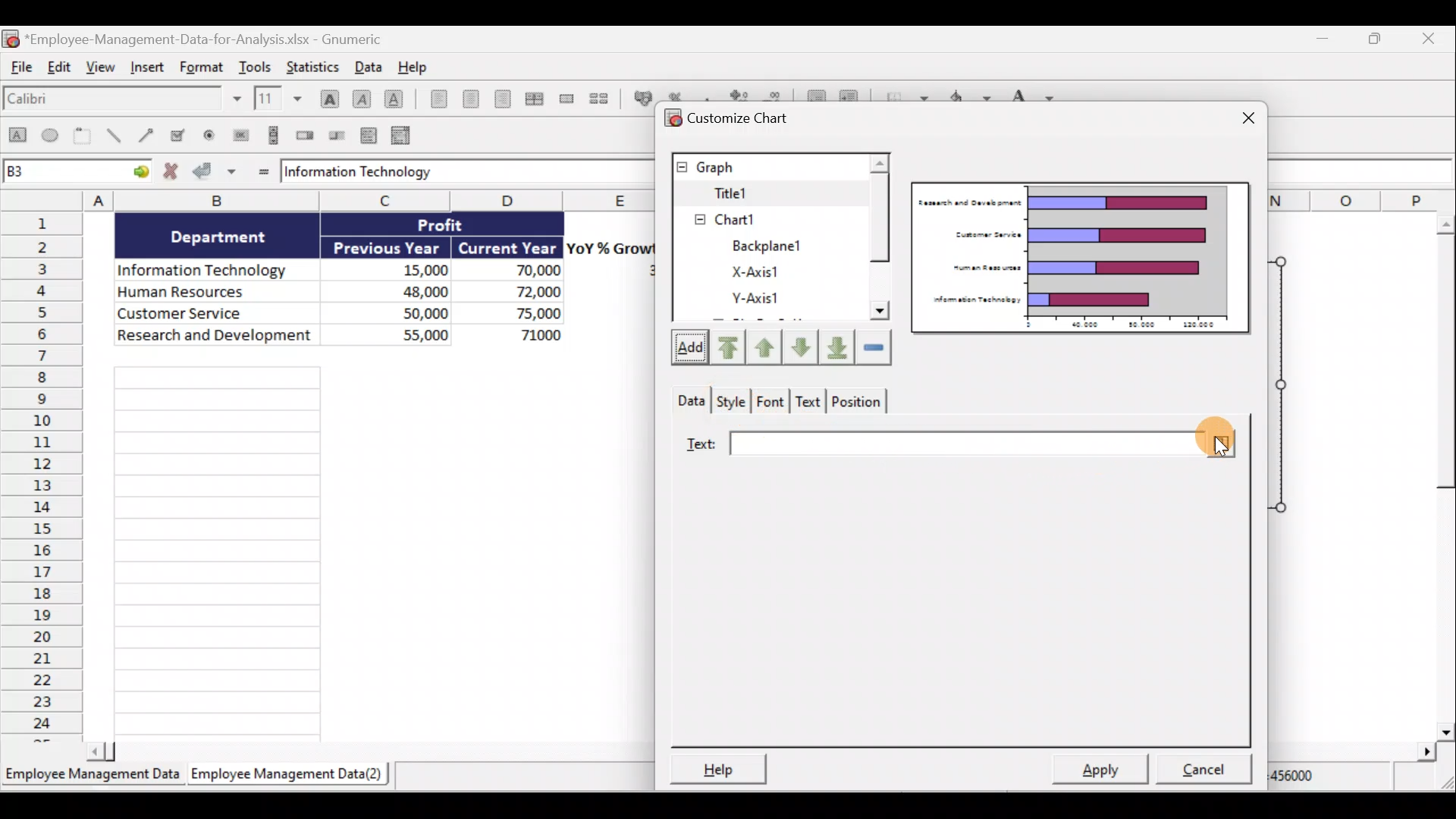 The height and width of the screenshot is (819, 1456). Describe the element at coordinates (802, 346) in the screenshot. I see `Move down` at that location.